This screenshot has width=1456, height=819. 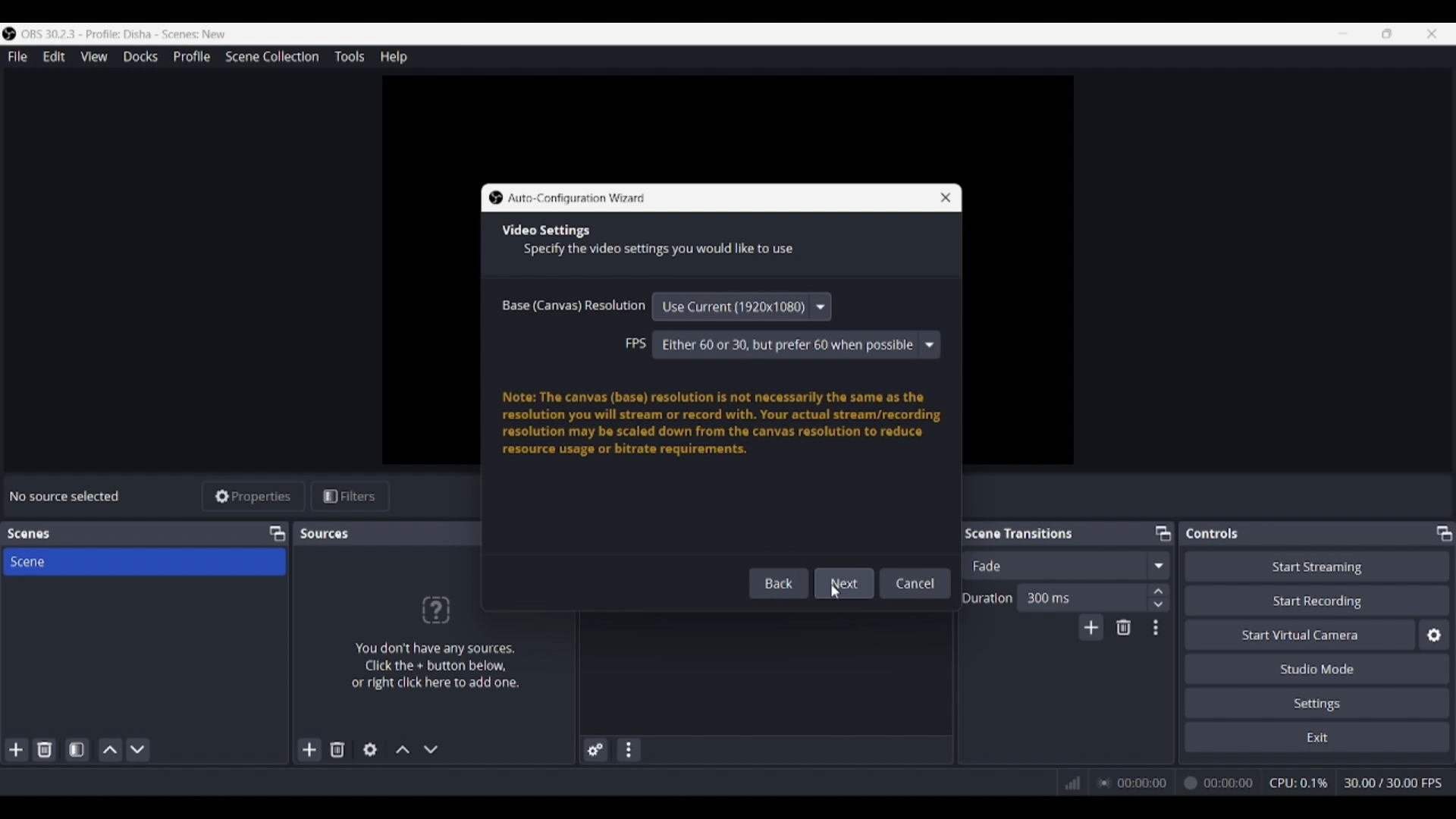 I want to click on Profile menu, highlighted by cursor, so click(x=192, y=57).